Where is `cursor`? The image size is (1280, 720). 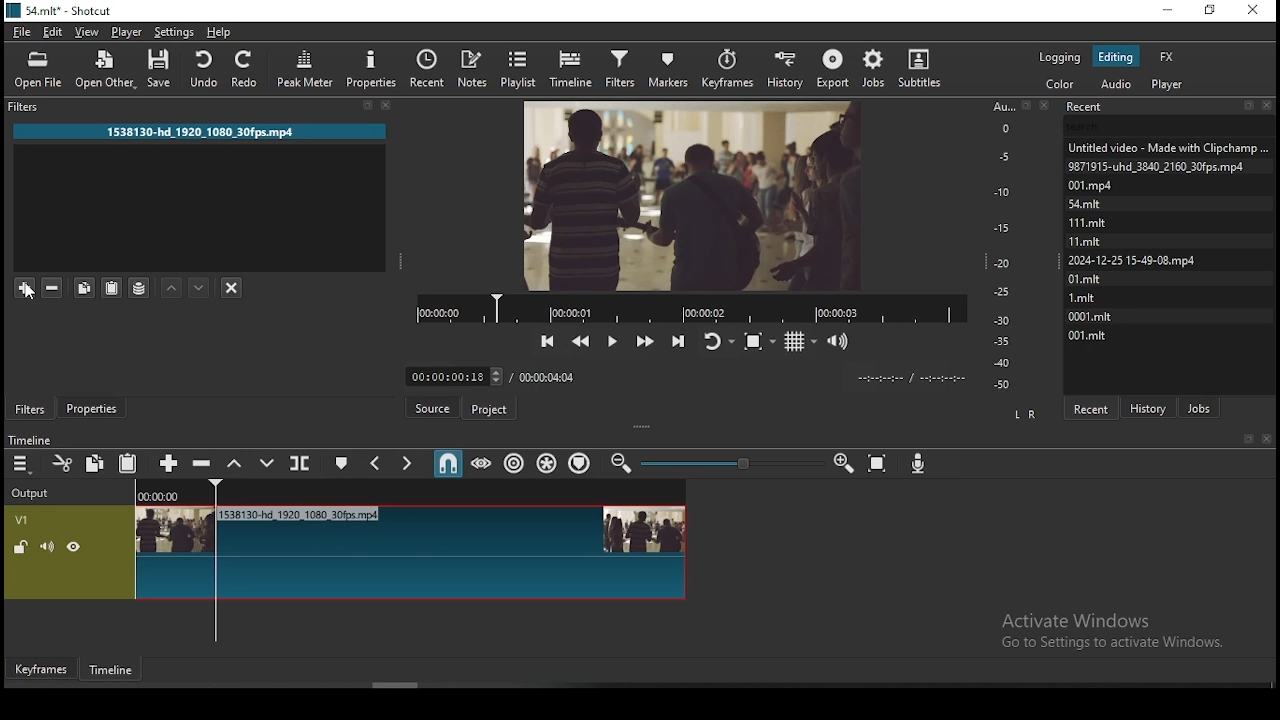 cursor is located at coordinates (30, 295).